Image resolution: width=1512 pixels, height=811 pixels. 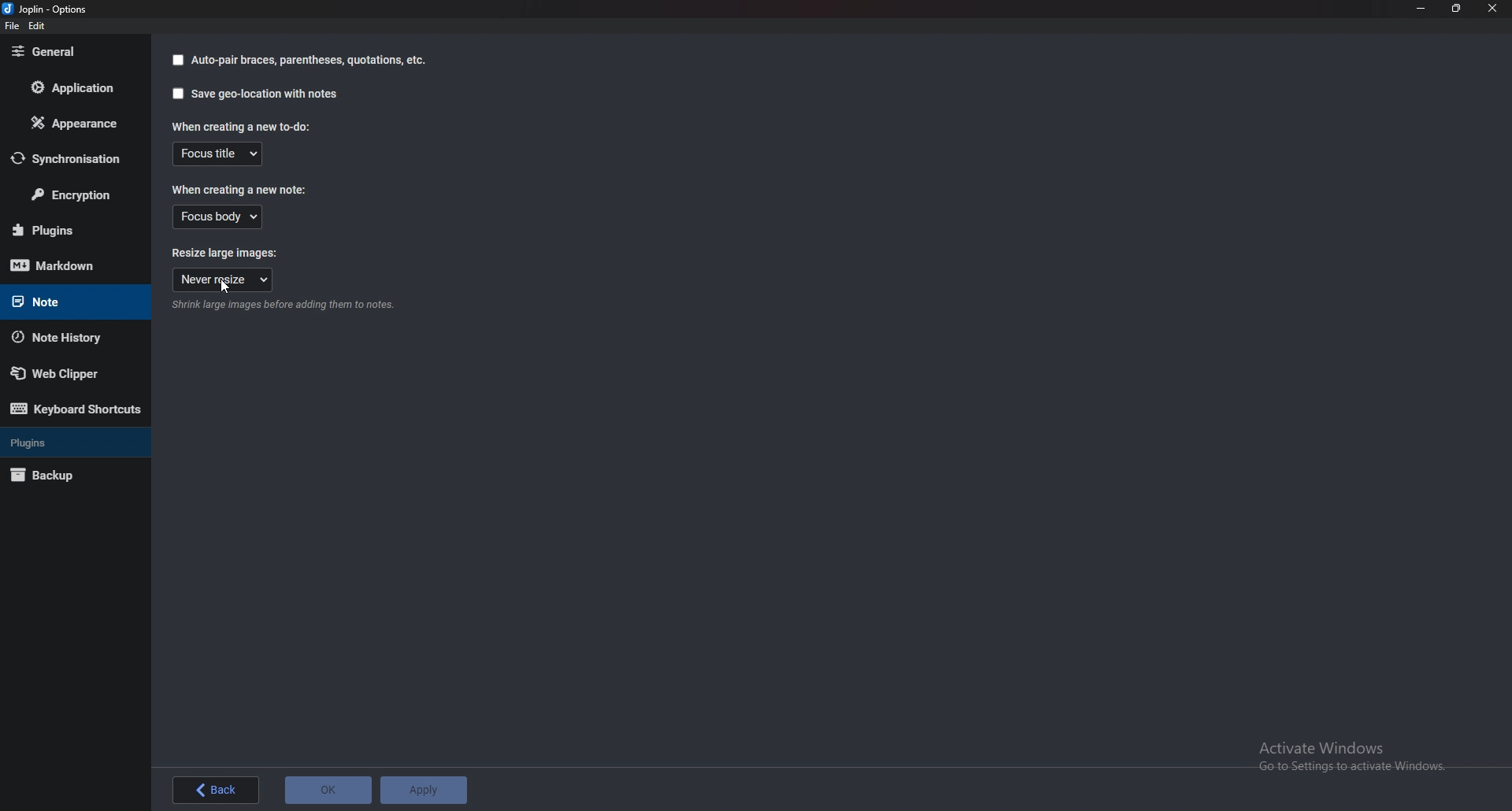 I want to click on Keyboard shortcuts, so click(x=76, y=409).